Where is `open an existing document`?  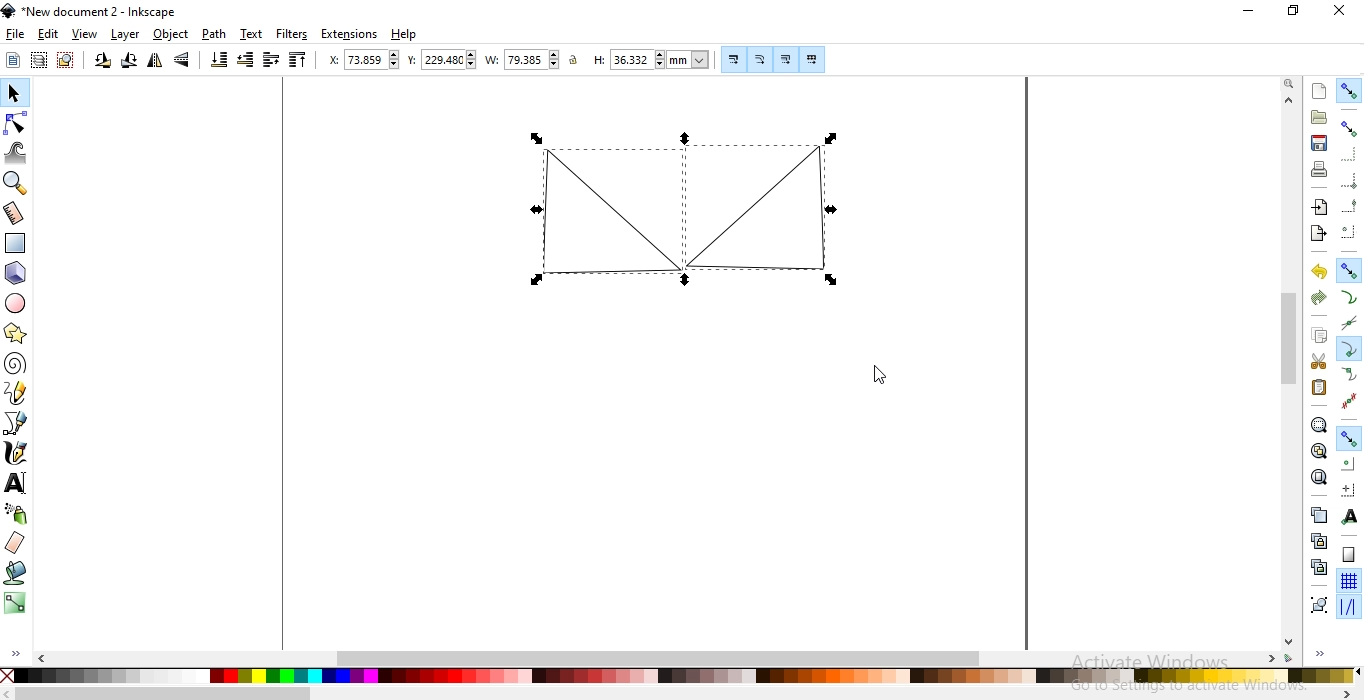 open an existing document is located at coordinates (1319, 117).